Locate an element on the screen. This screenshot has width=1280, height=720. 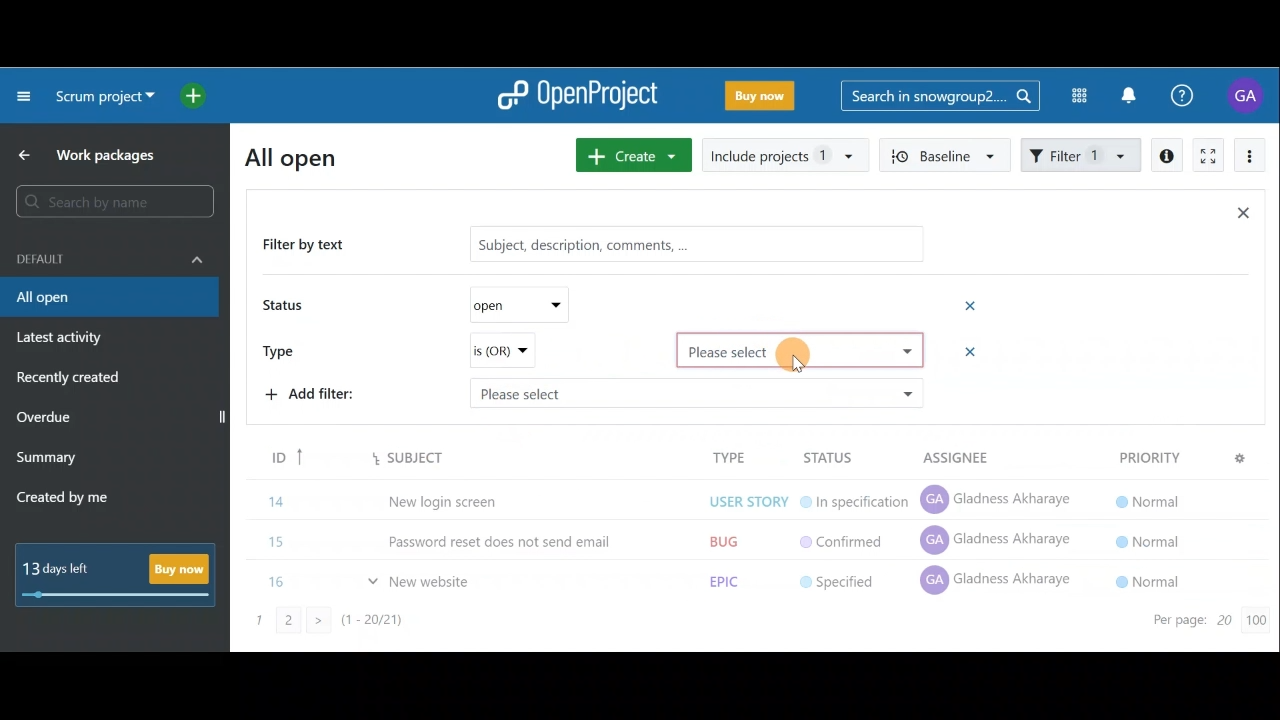
Remove is located at coordinates (972, 305).